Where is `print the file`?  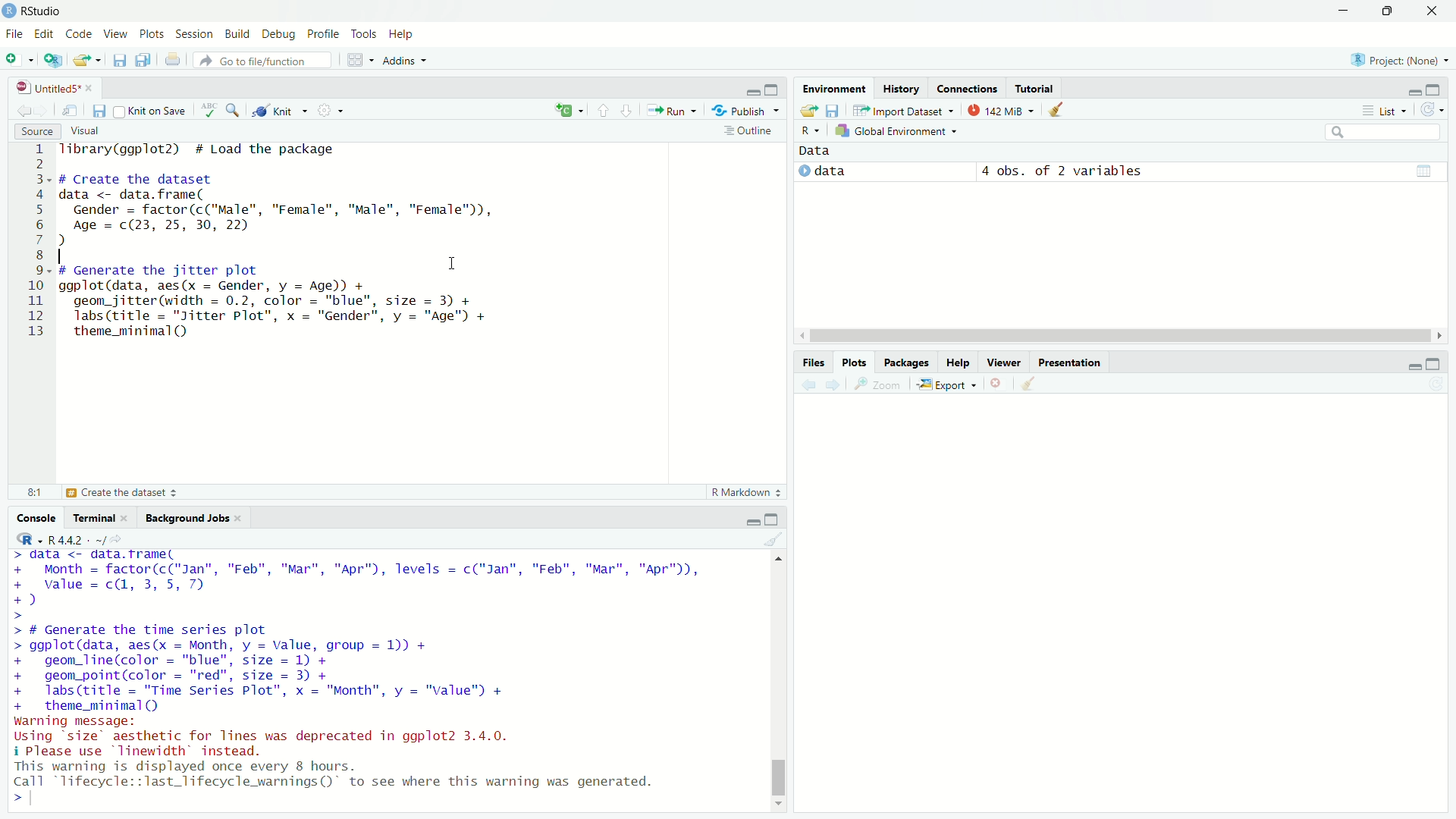 print the file is located at coordinates (171, 59).